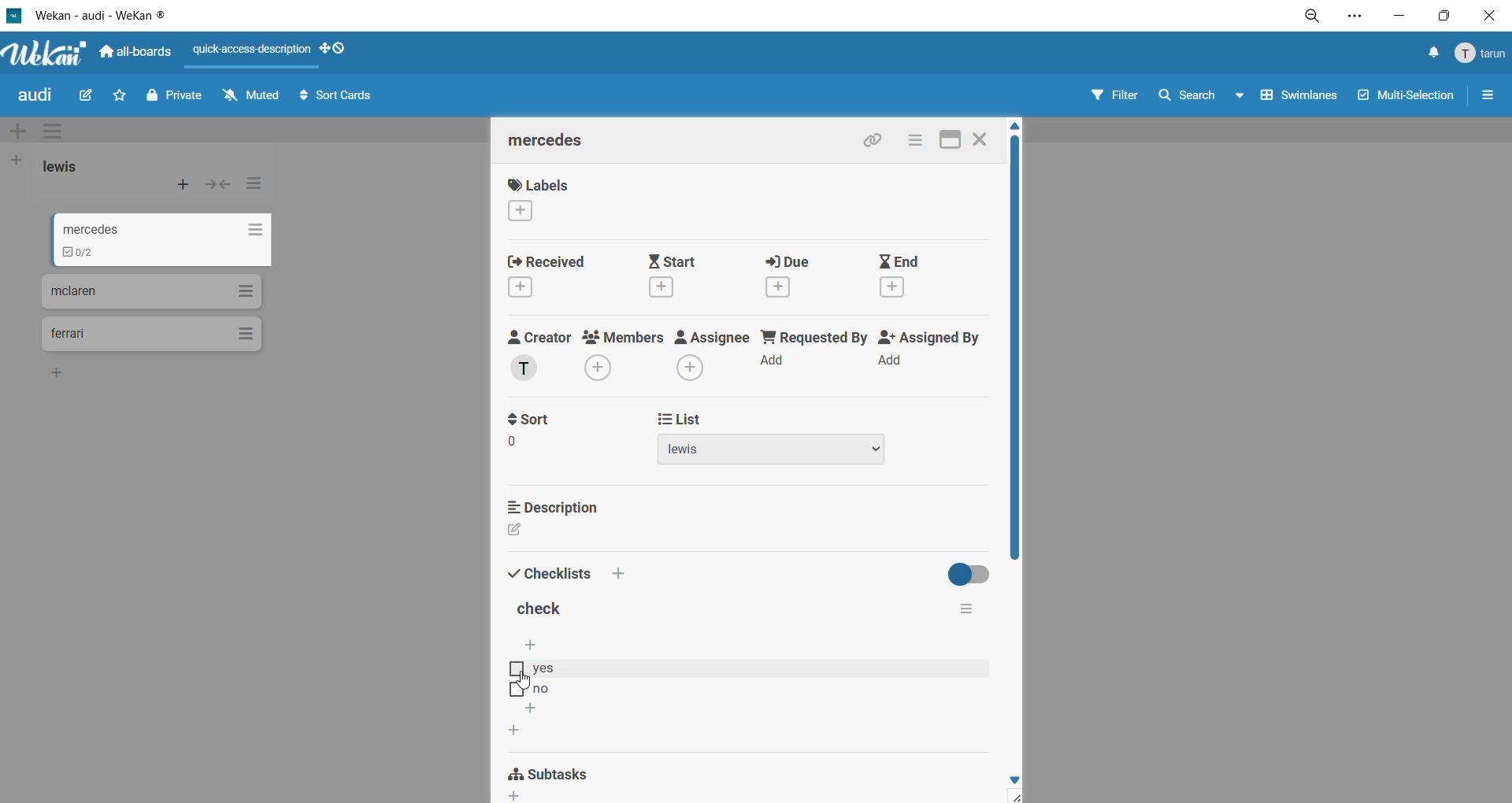 The height and width of the screenshot is (803, 1512). What do you see at coordinates (538, 646) in the screenshot?
I see `ad checklist item` at bounding box center [538, 646].